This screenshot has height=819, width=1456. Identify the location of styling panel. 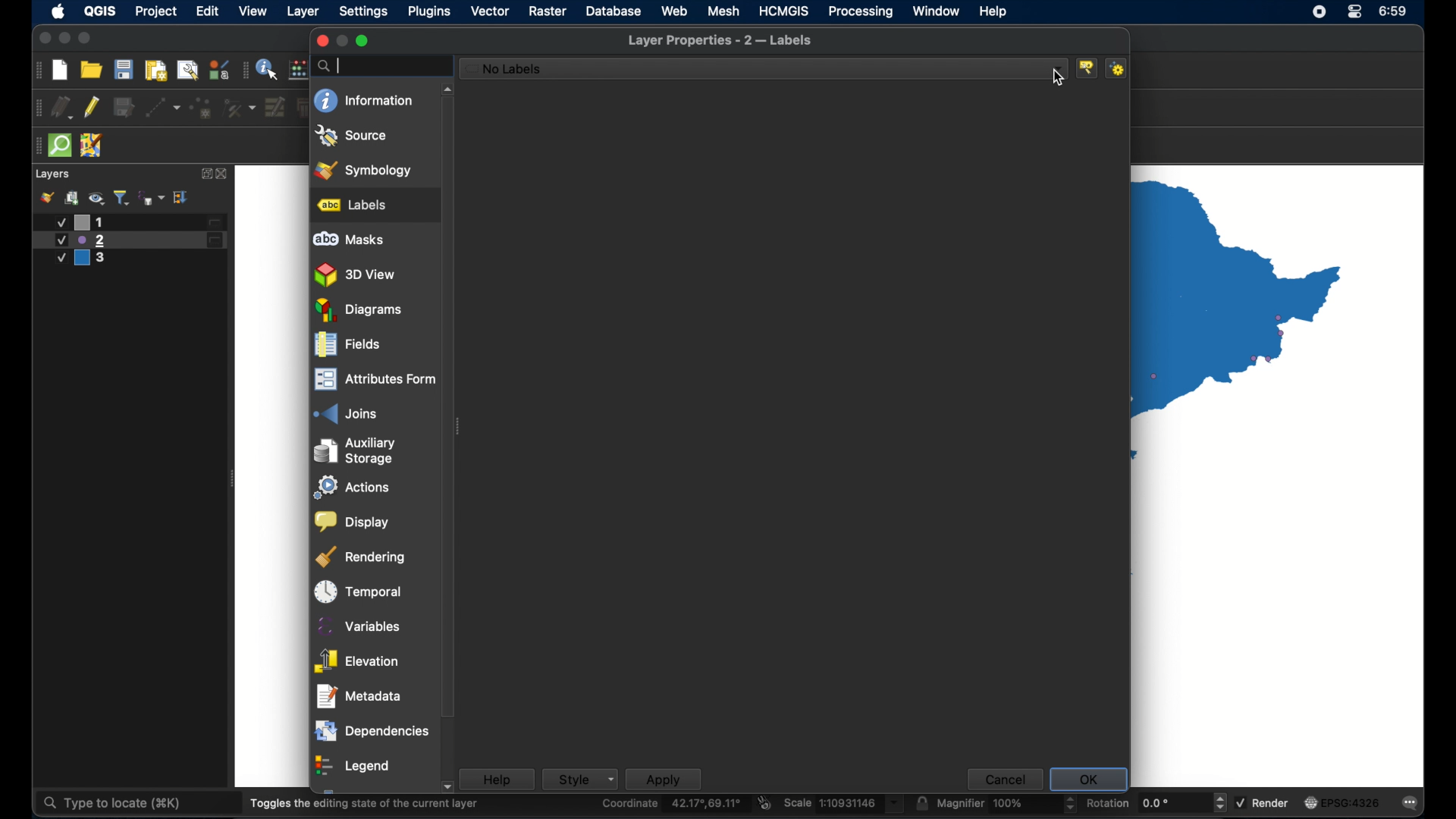
(46, 197).